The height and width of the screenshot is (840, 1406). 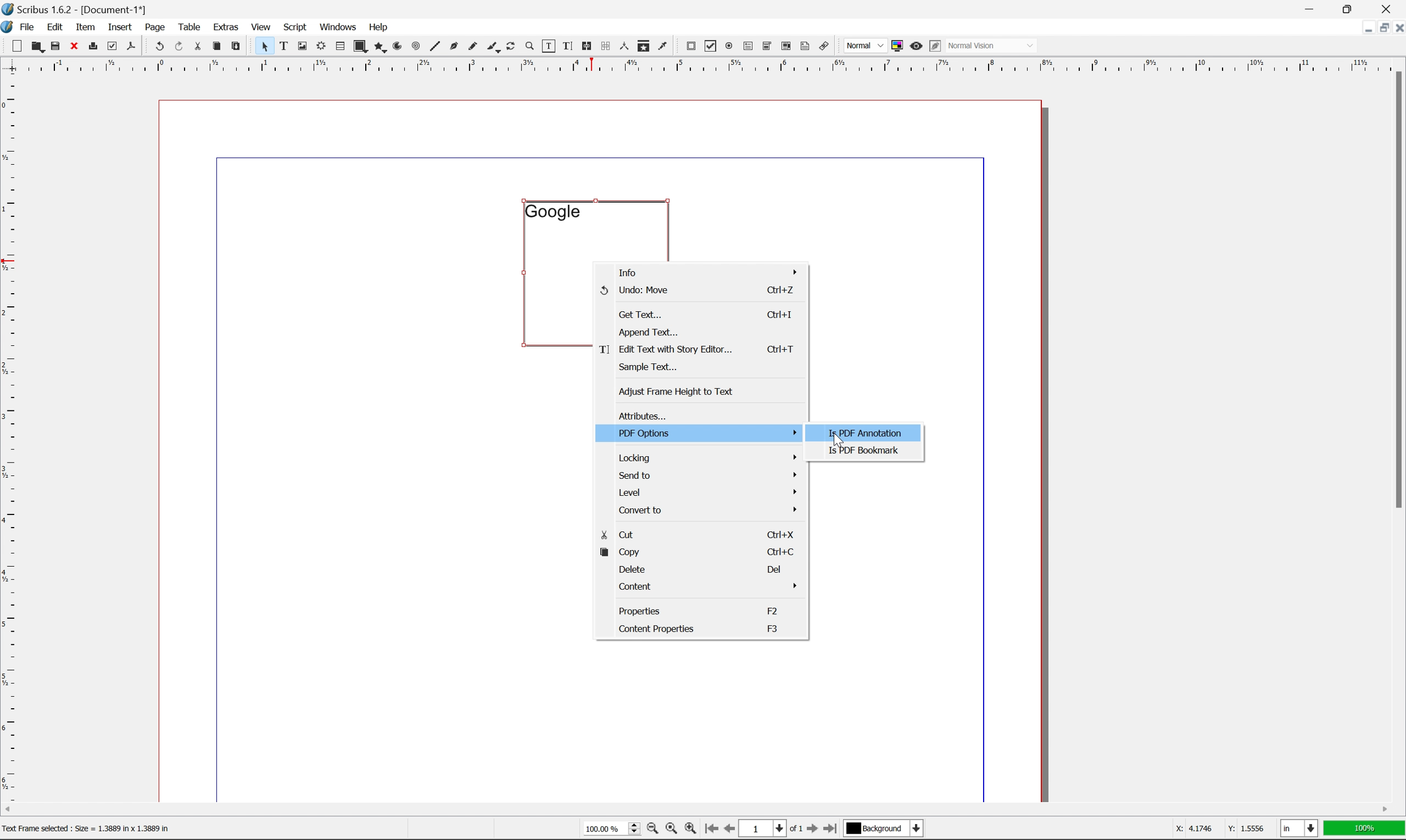 What do you see at coordinates (830, 829) in the screenshot?
I see `go to last page` at bounding box center [830, 829].